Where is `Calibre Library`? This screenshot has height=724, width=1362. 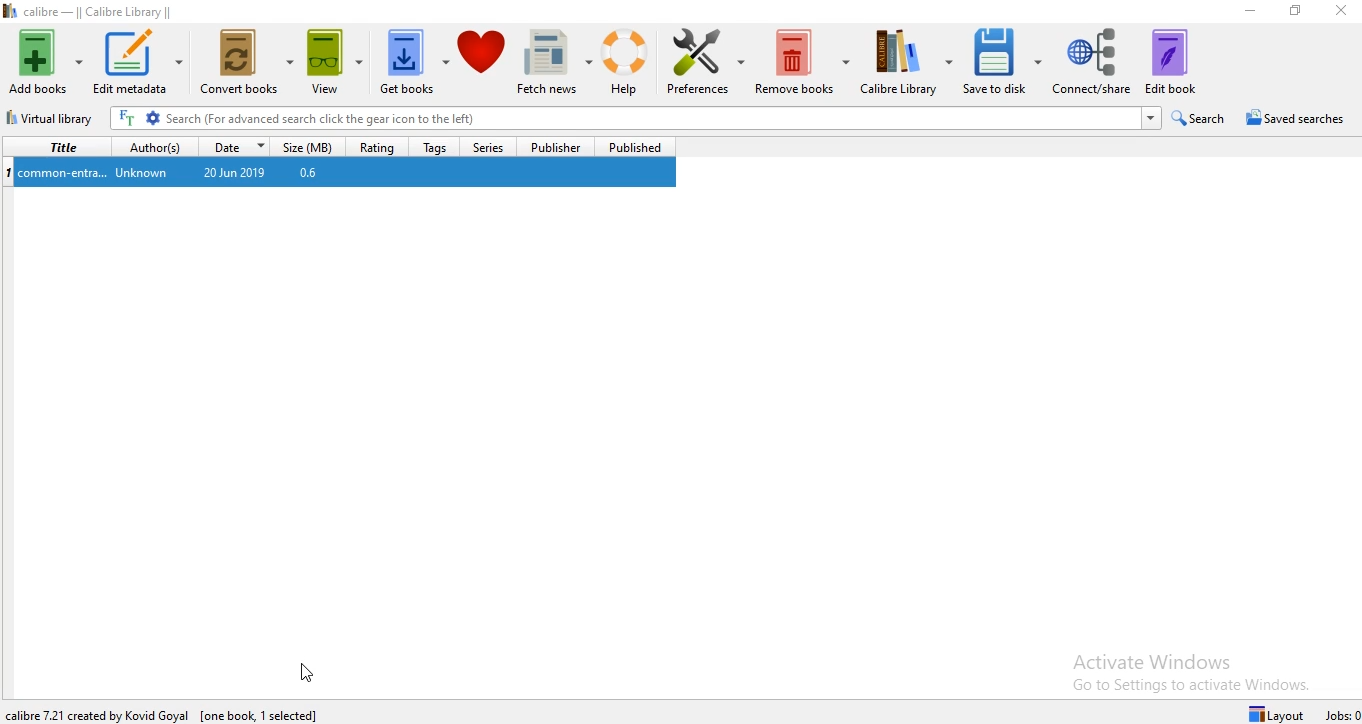 Calibre Library is located at coordinates (910, 62).